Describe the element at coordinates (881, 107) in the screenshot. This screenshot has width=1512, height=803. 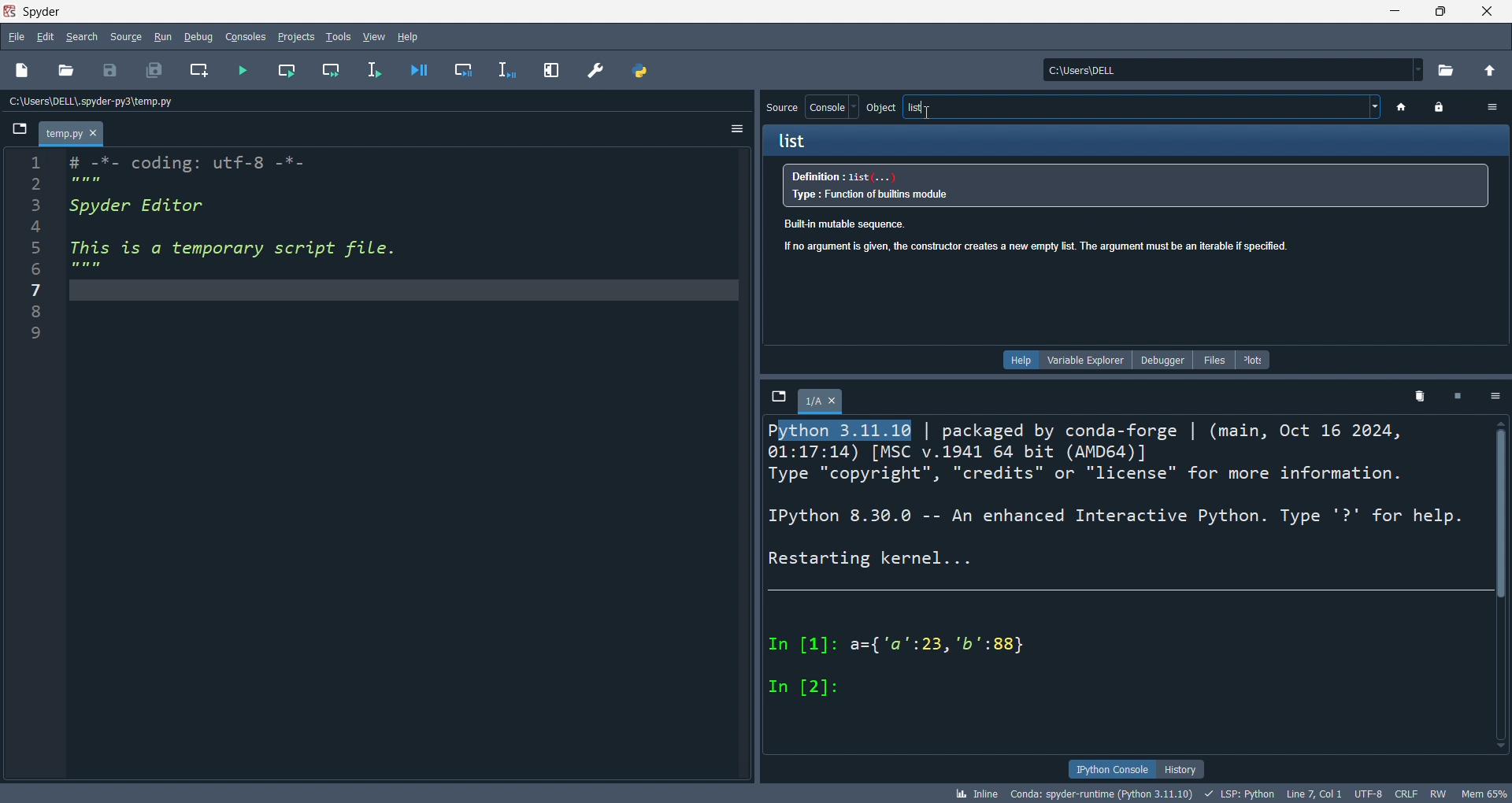
I see `object ` at that location.